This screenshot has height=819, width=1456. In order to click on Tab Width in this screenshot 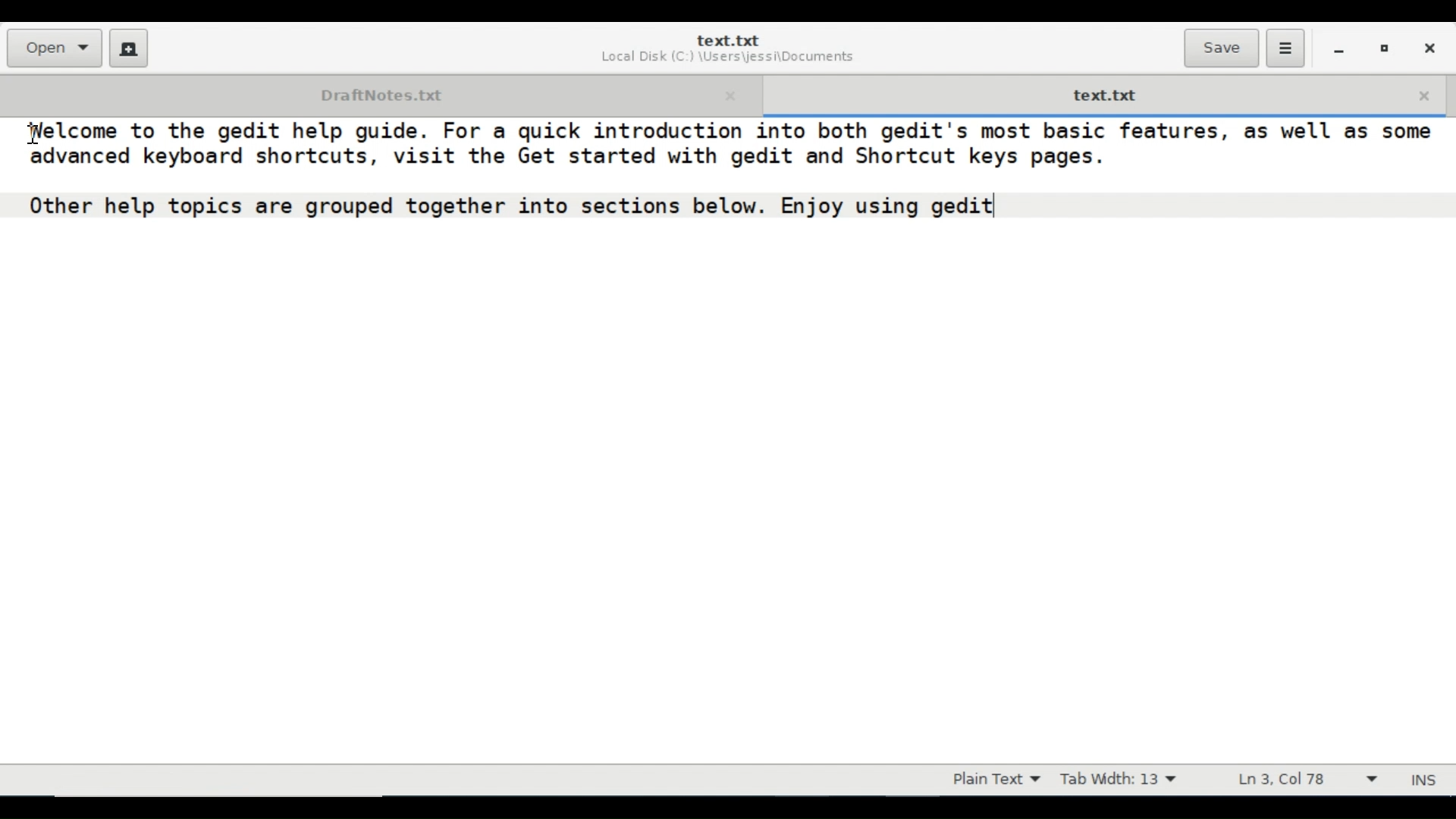, I will do `click(1118, 780)`.